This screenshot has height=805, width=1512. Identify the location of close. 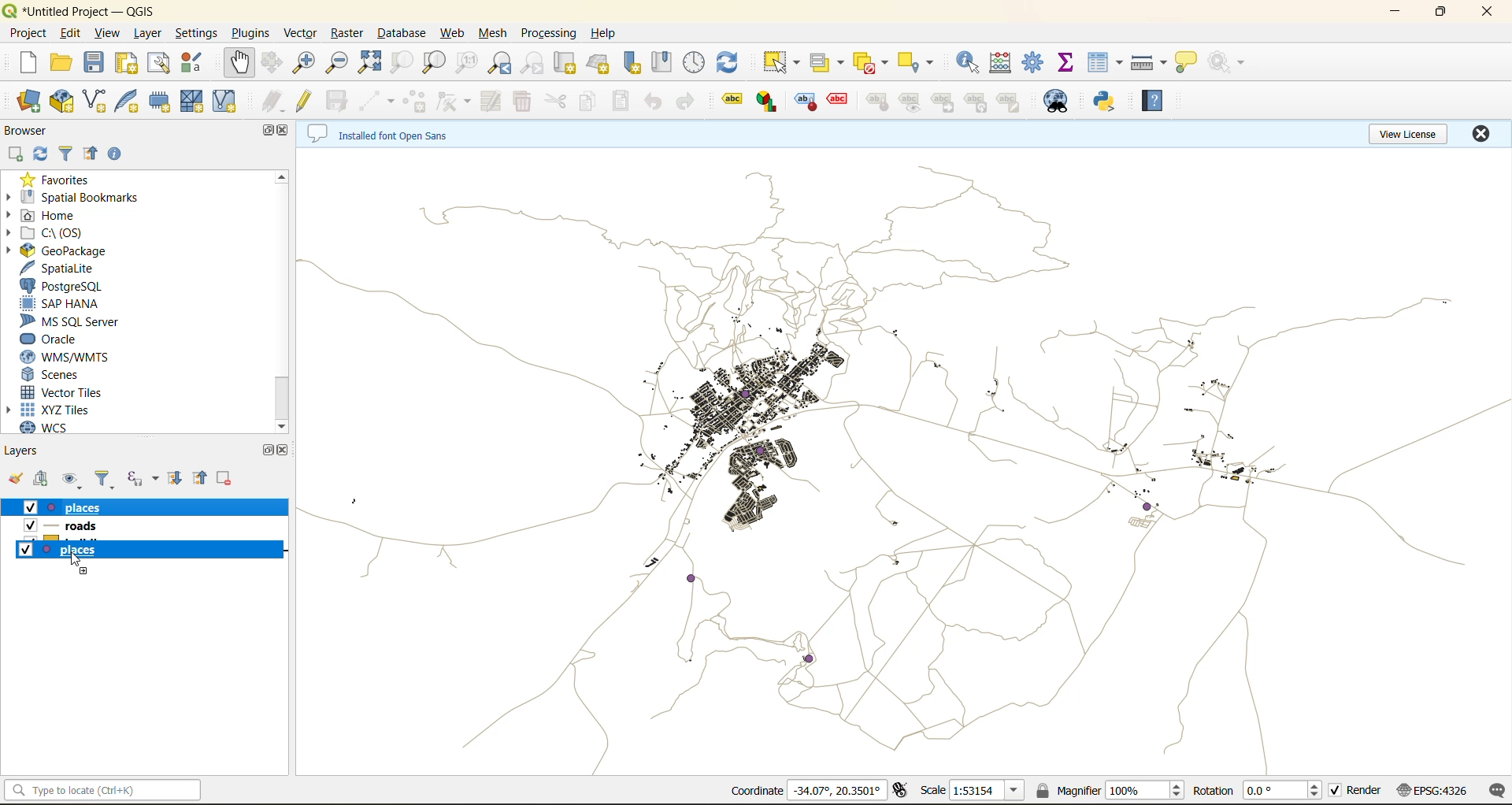
(287, 132).